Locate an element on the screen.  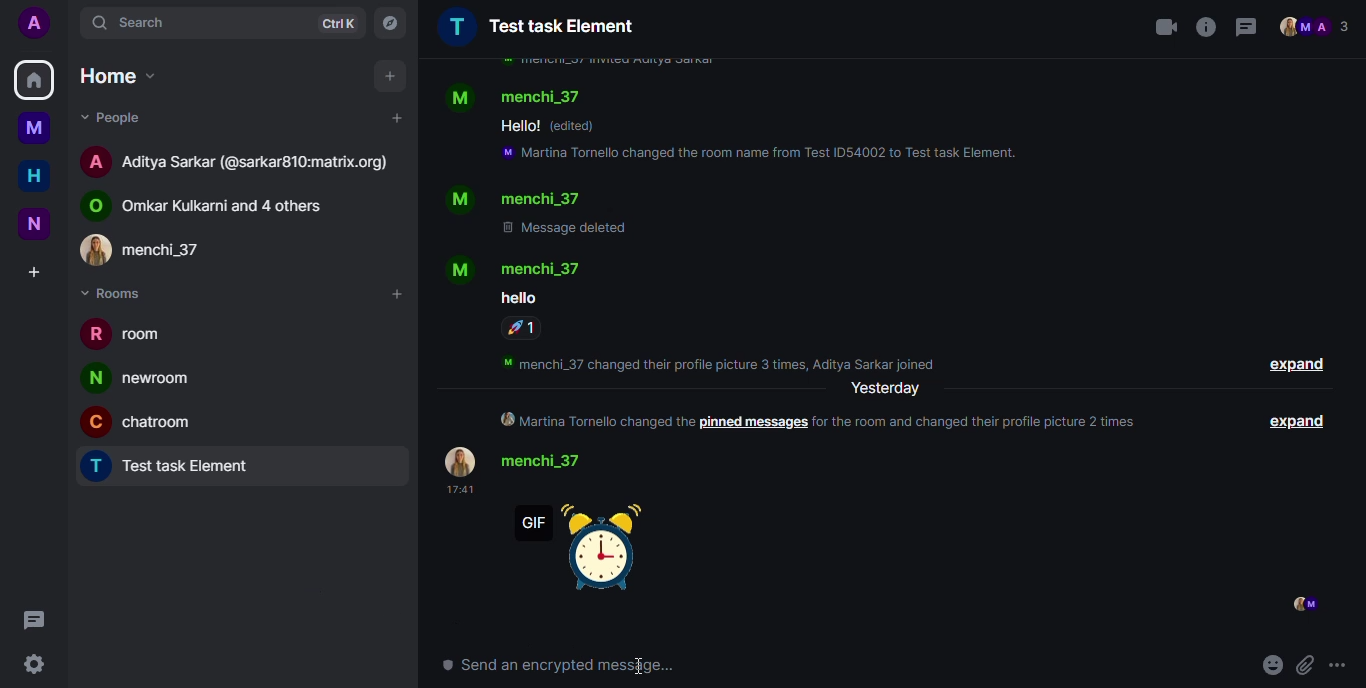
chatroom is located at coordinates (146, 420).